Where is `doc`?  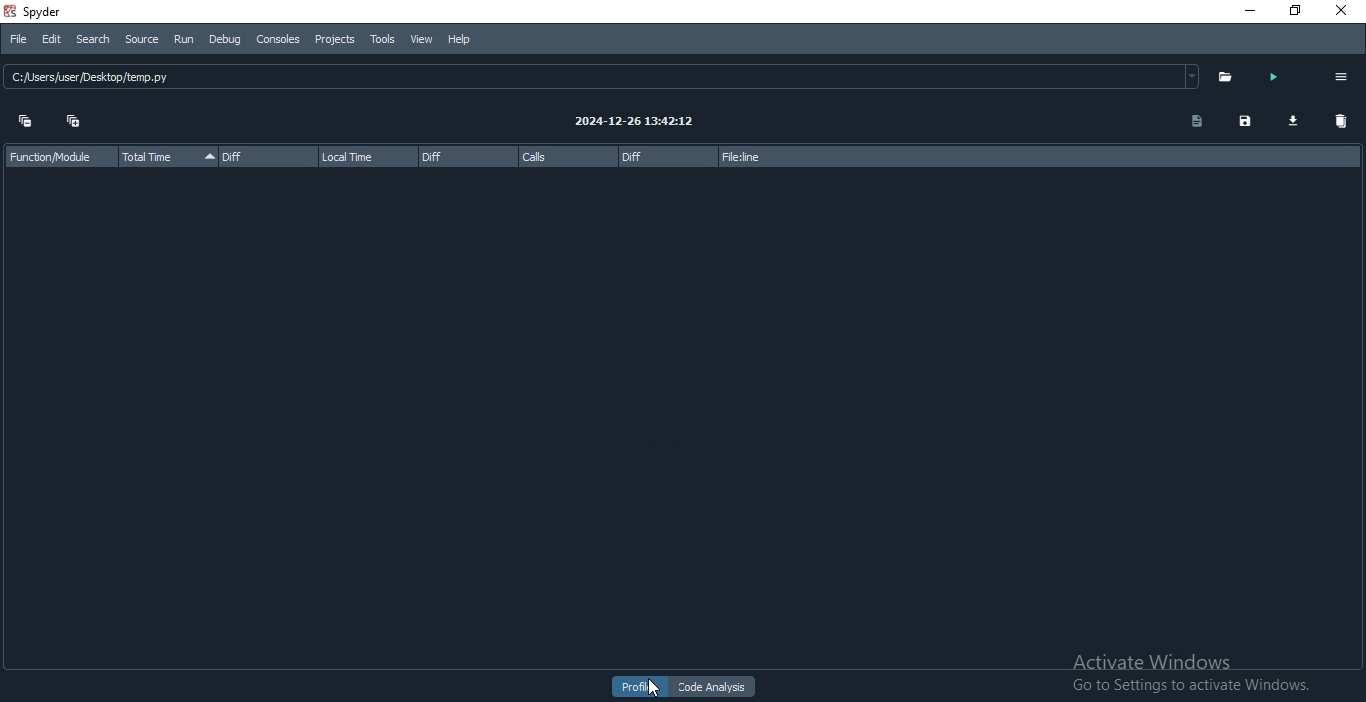
doc is located at coordinates (1196, 122).